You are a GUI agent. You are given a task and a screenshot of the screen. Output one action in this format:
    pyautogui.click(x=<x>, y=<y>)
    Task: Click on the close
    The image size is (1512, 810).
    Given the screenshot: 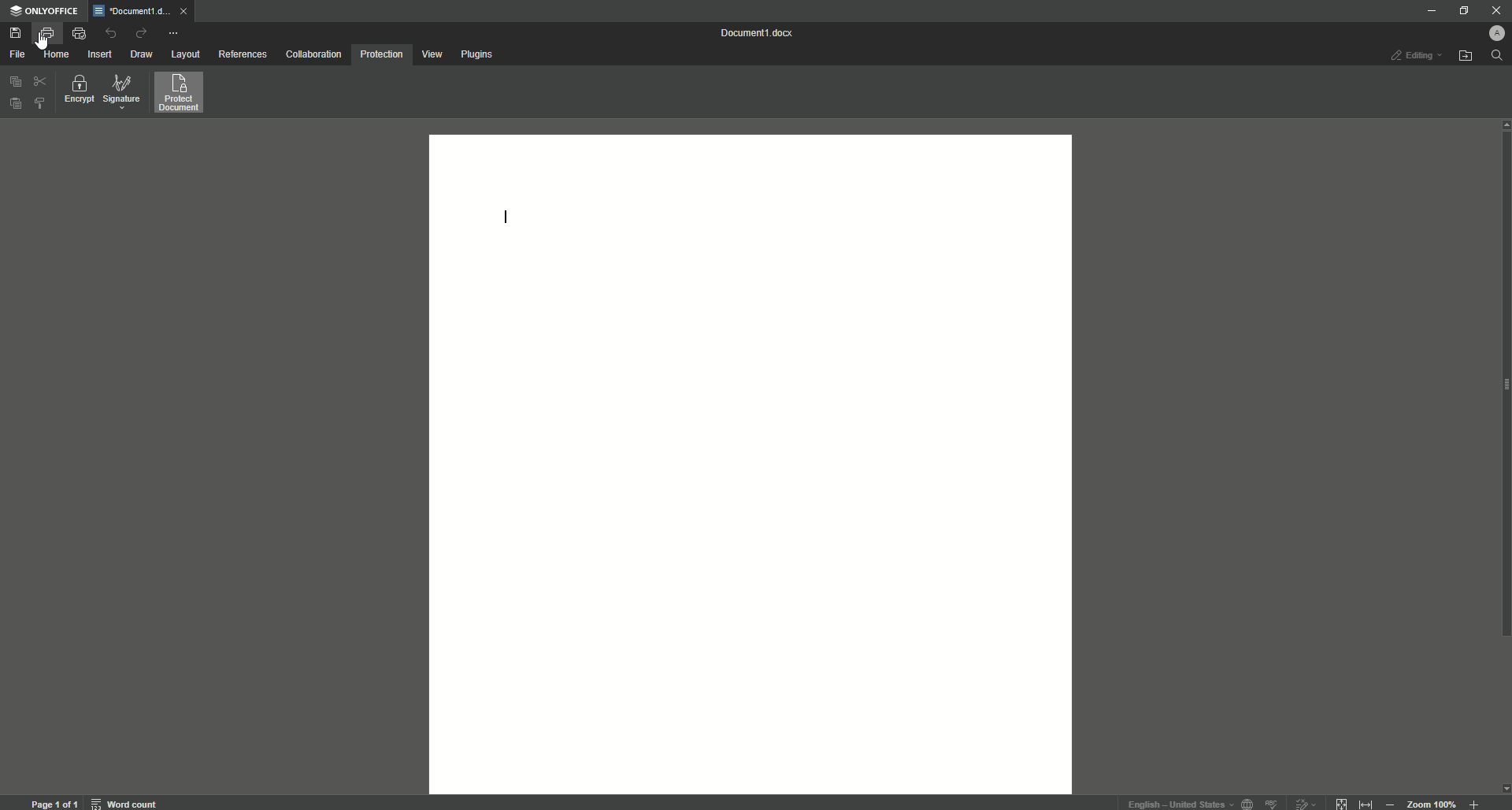 What is the action you would take?
    pyautogui.click(x=182, y=10)
    